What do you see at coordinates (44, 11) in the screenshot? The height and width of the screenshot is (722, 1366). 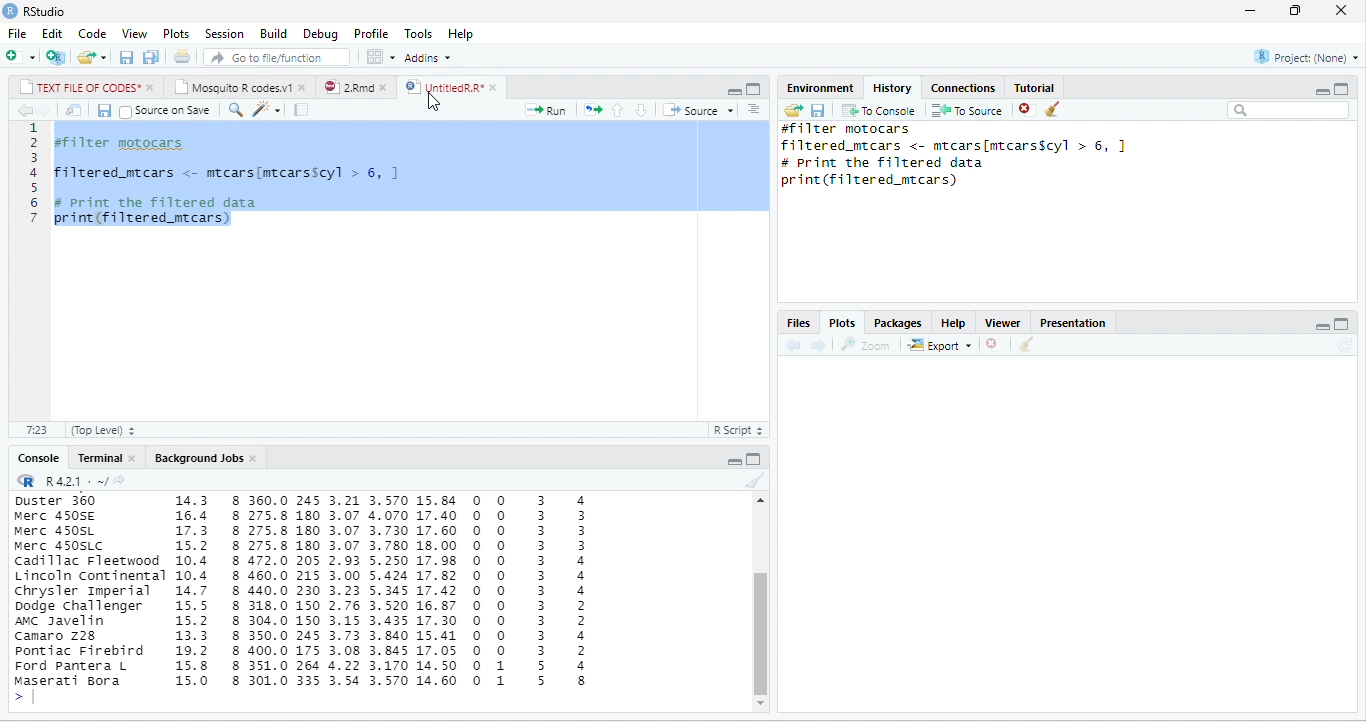 I see `RStudio` at bounding box center [44, 11].